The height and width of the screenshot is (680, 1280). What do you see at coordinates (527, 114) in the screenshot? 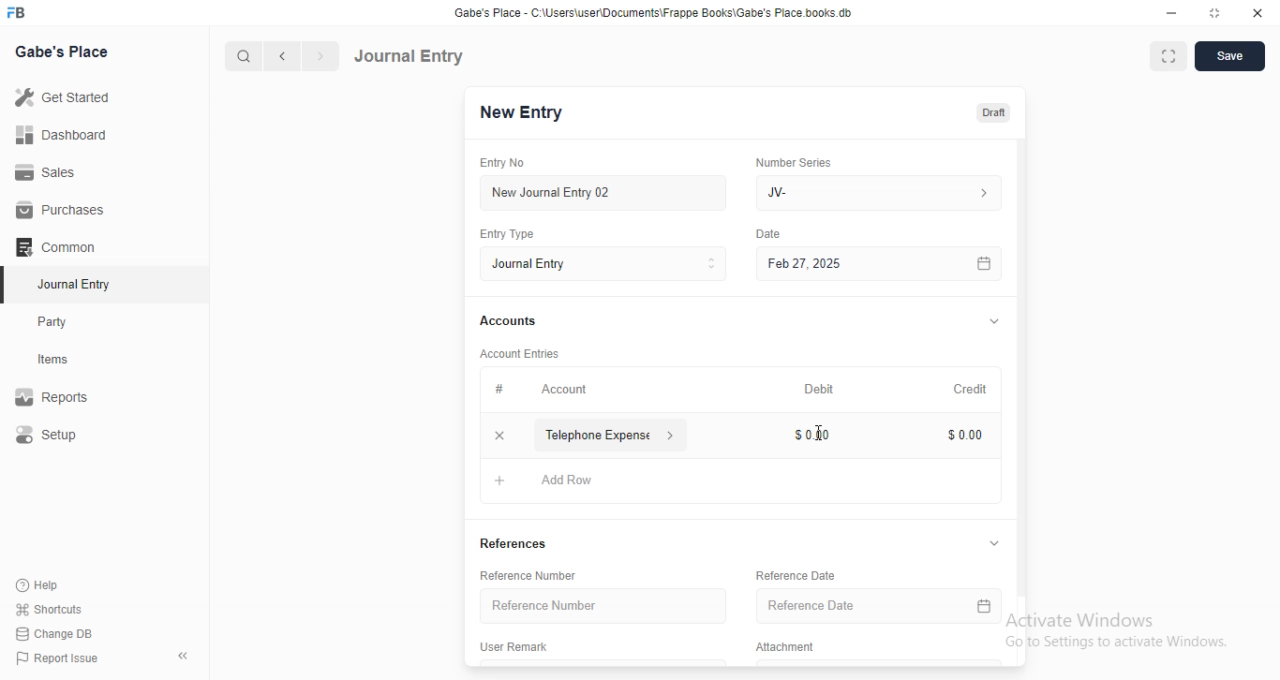
I see `New entry` at bounding box center [527, 114].